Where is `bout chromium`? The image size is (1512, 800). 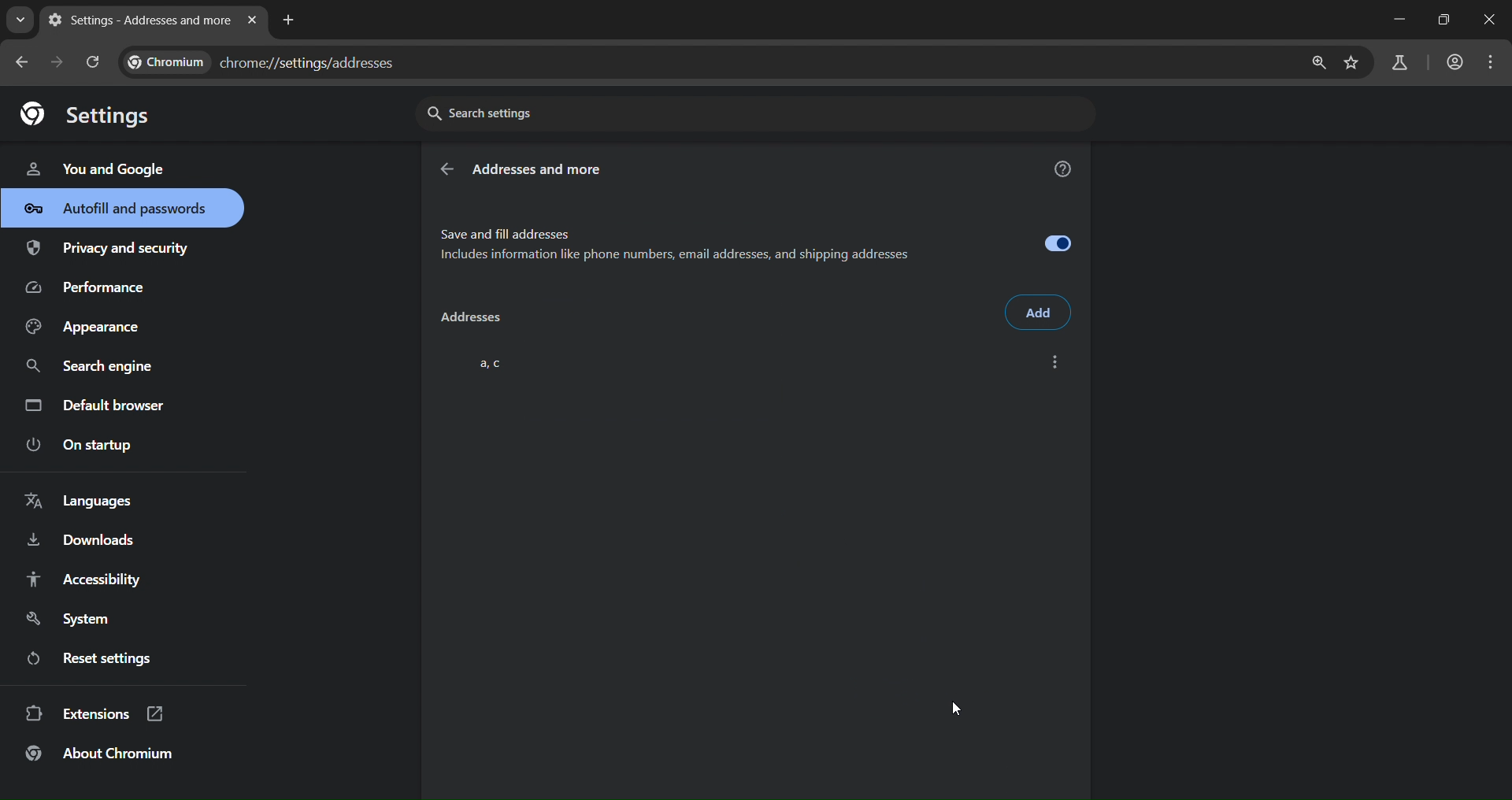 bout chromium is located at coordinates (102, 753).